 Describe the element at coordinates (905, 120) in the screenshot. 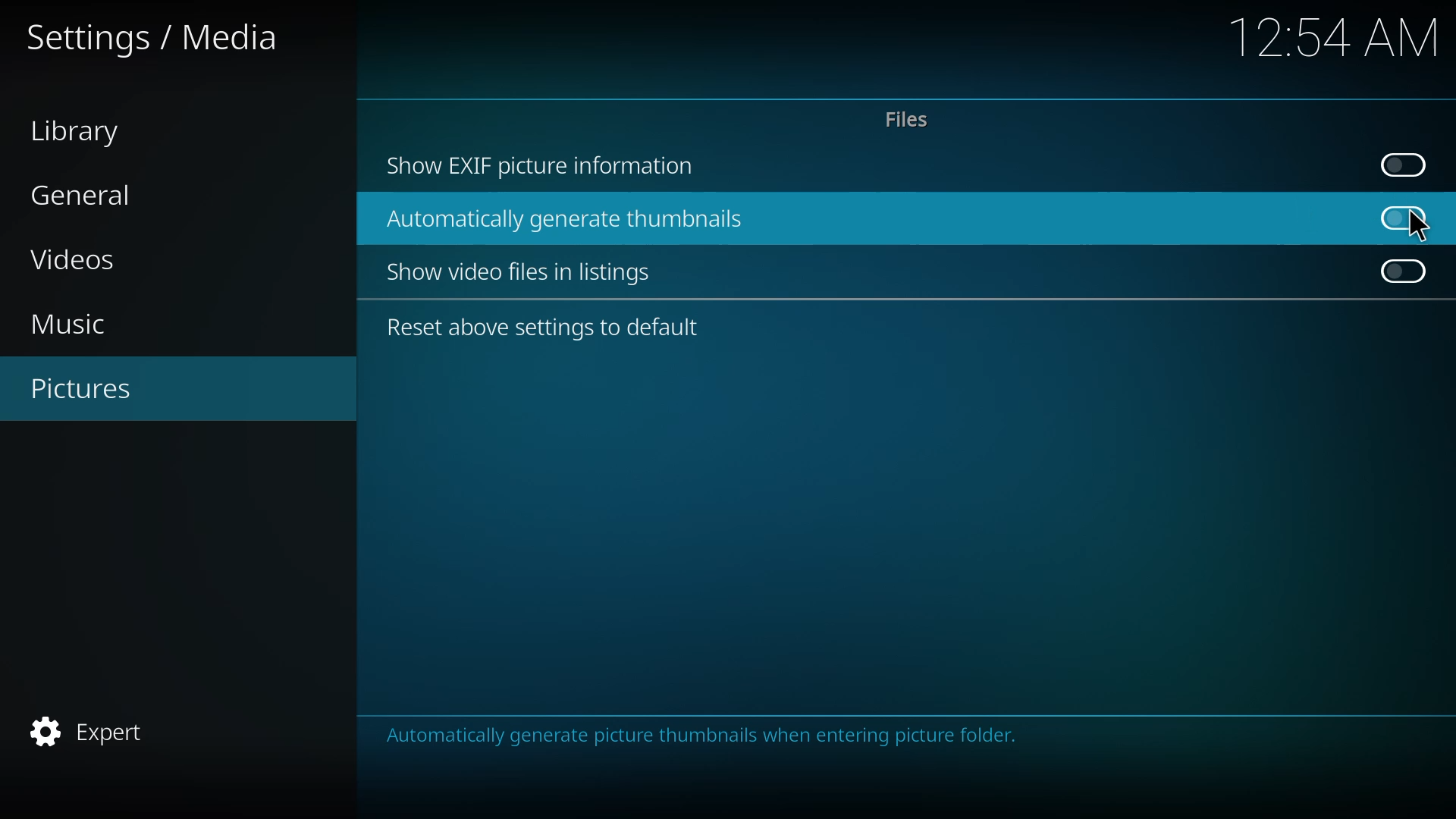

I see `files` at that location.